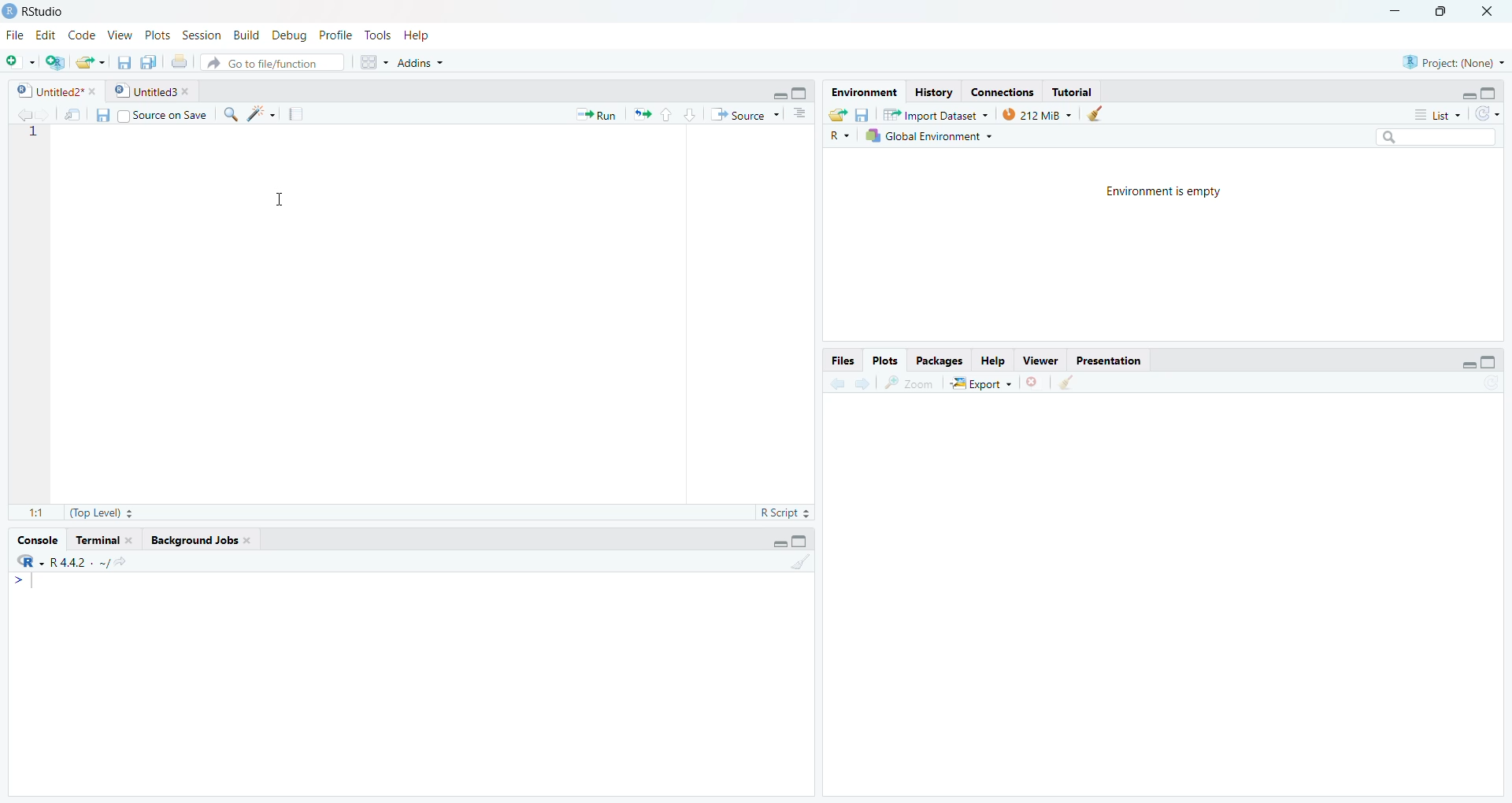 The image size is (1512, 803). What do you see at coordinates (44, 33) in the screenshot?
I see `edit` at bounding box center [44, 33].